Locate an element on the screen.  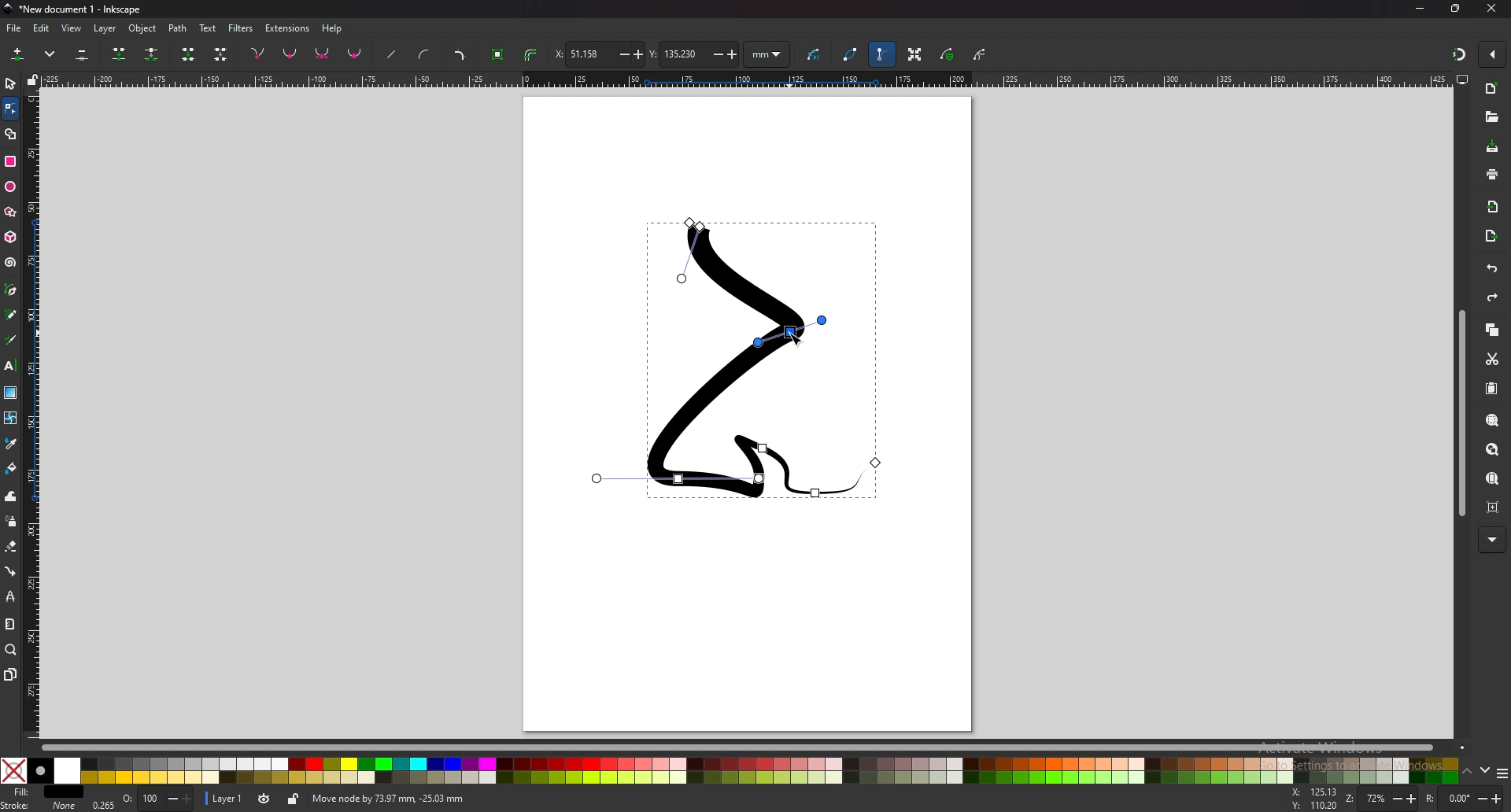
filters is located at coordinates (242, 27).